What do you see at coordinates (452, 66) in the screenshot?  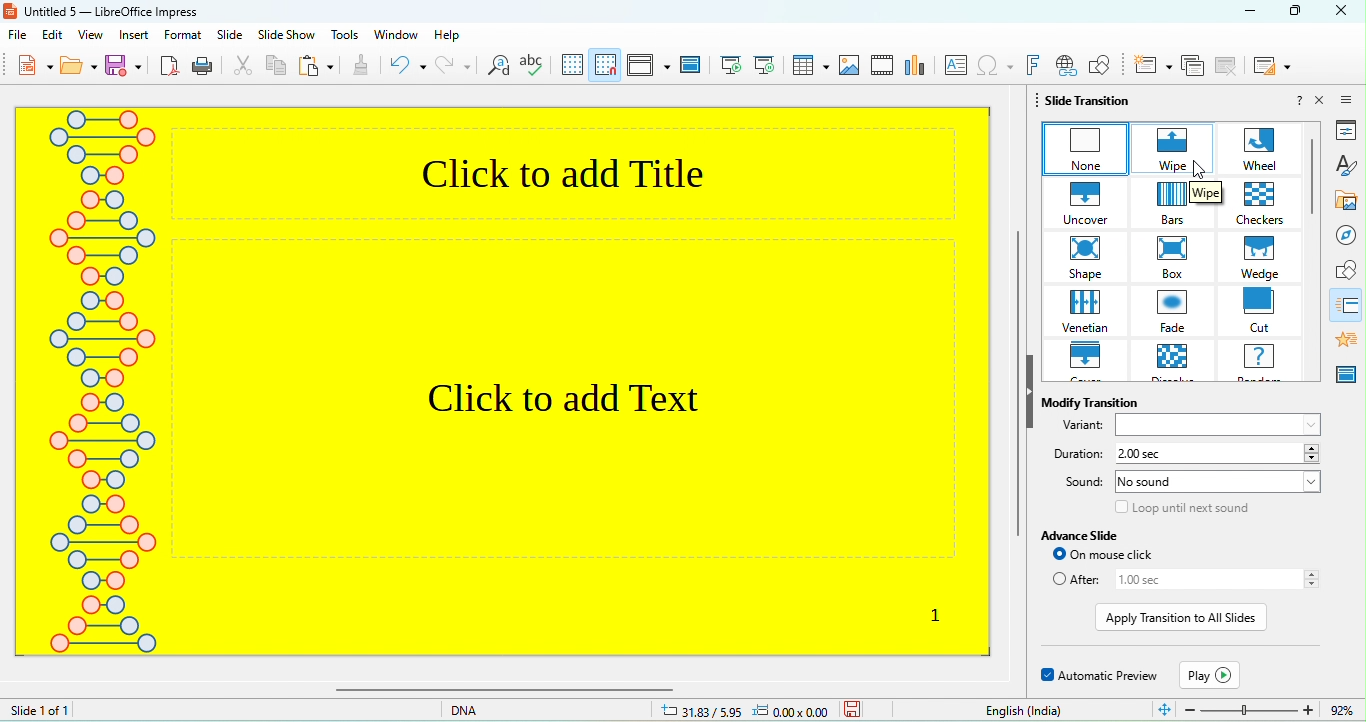 I see `redo` at bounding box center [452, 66].